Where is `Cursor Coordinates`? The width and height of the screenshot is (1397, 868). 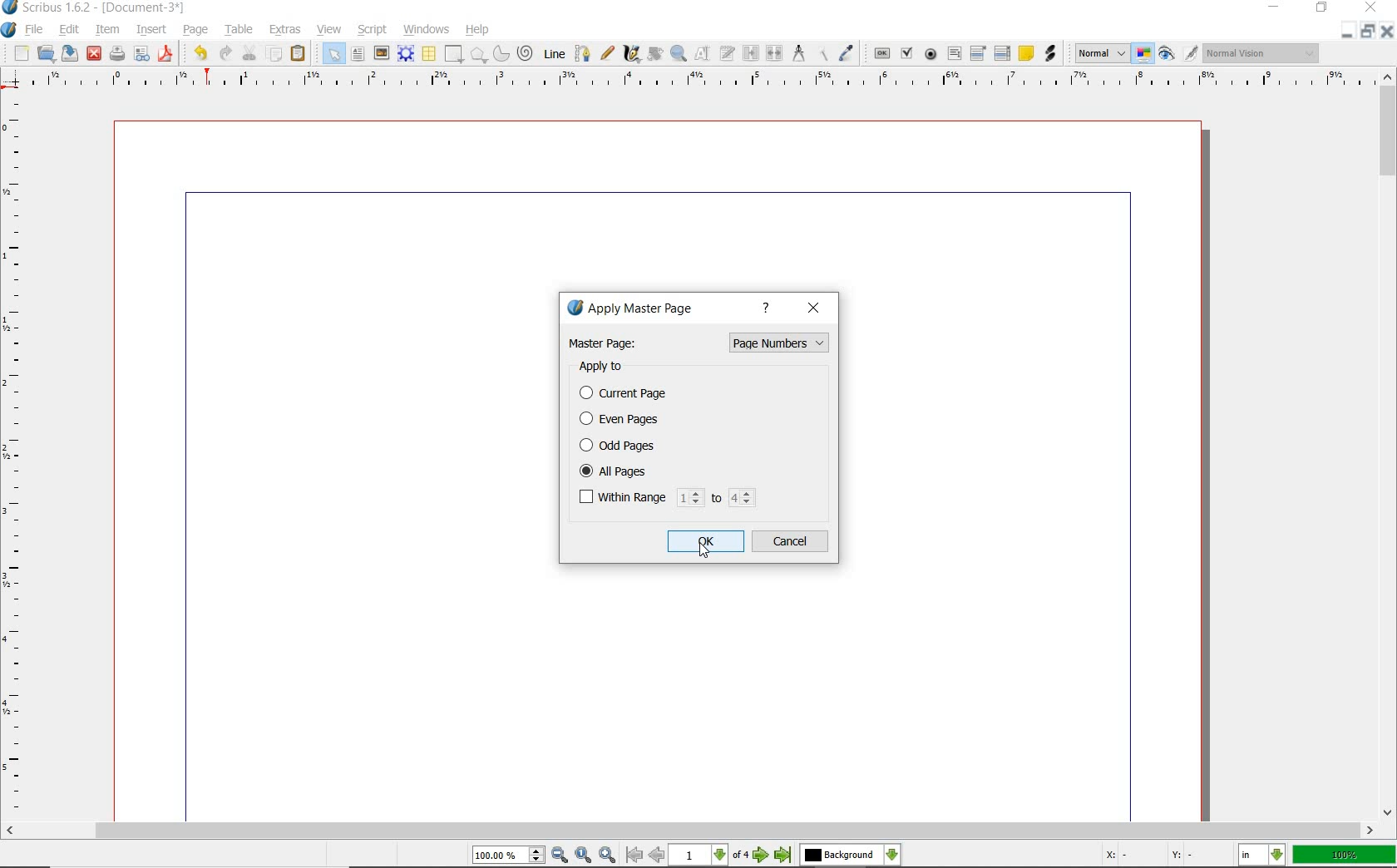
Cursor Coordinates is located at coordinates (1167, 856).